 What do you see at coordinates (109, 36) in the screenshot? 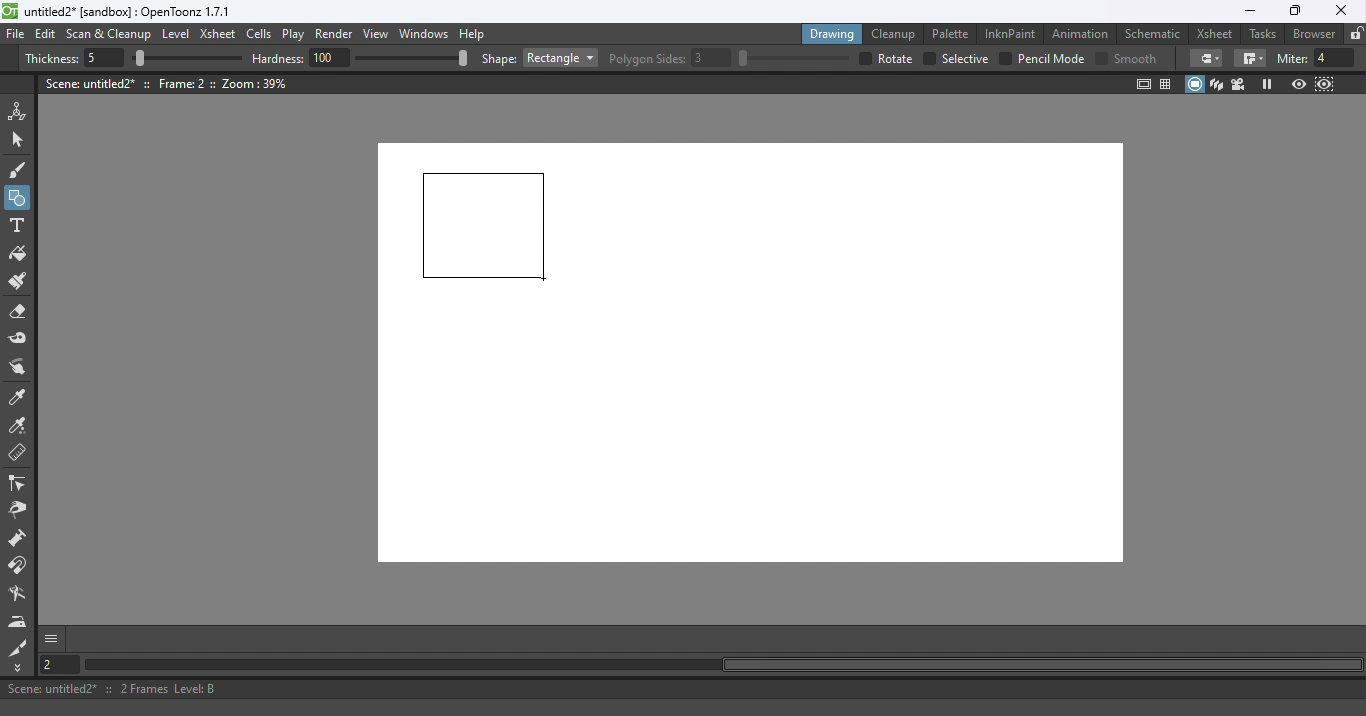
I see `Scan & Cleanup` at bounding box center [109, 36].